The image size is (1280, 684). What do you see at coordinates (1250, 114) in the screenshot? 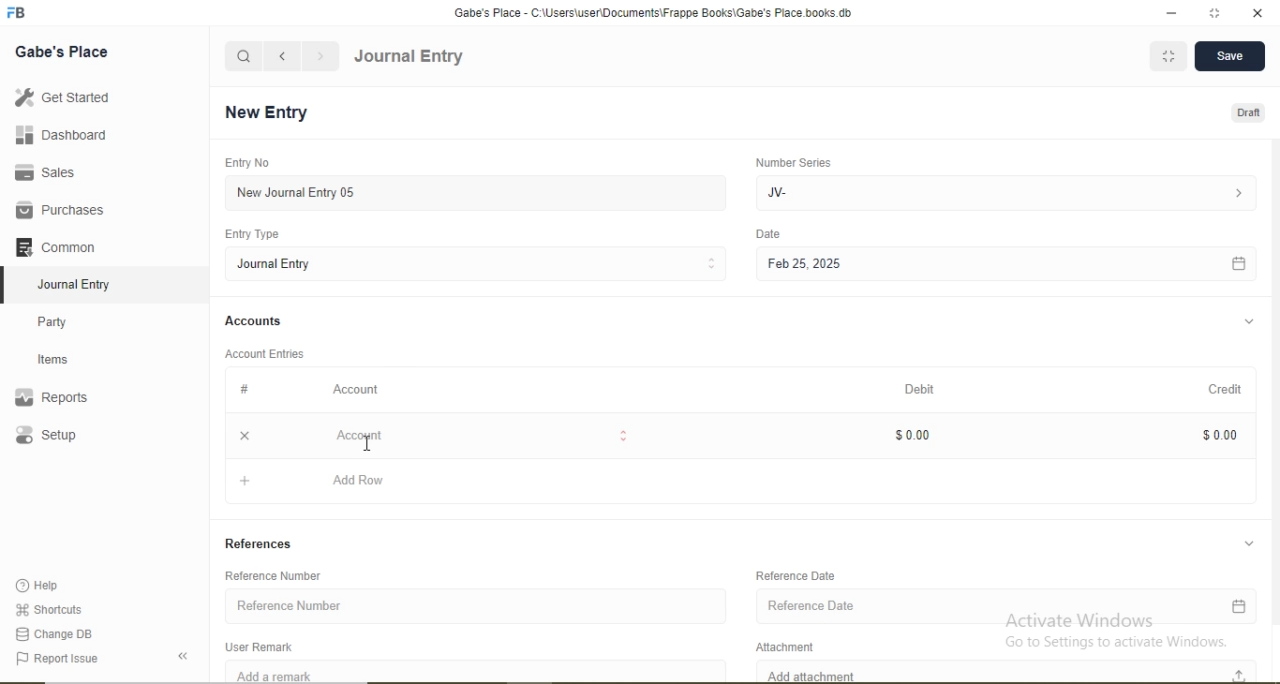
I see `Draft` at bounding box center [1250, 114].